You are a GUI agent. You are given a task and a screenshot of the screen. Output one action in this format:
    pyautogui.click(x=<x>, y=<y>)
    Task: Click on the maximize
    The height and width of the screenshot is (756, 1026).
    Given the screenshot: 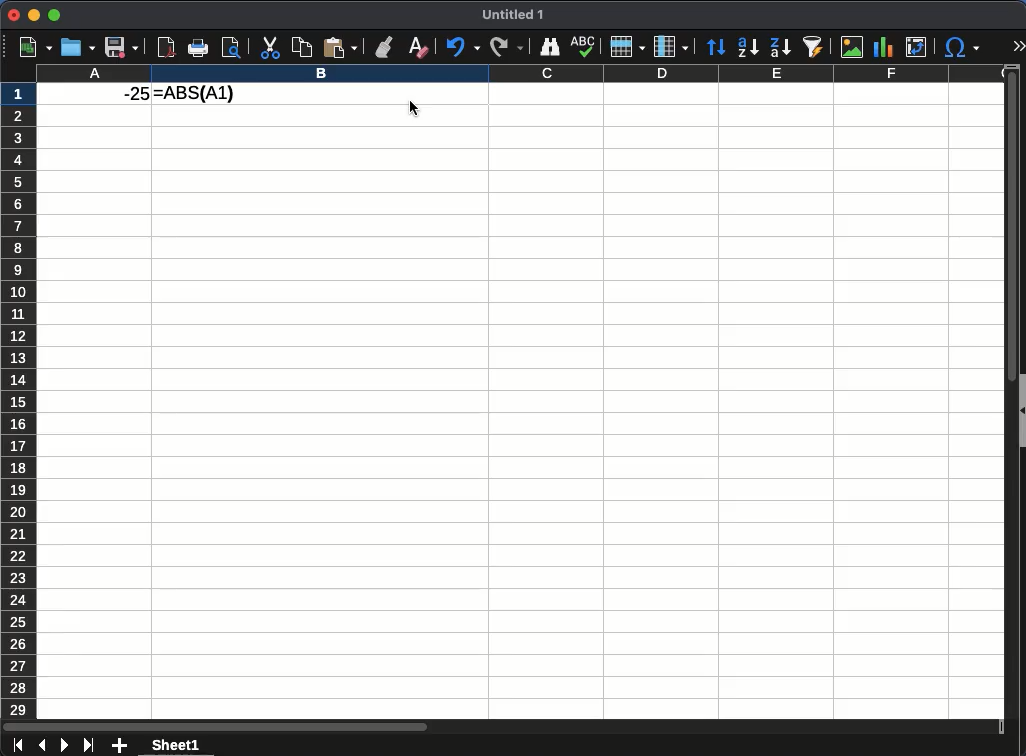 What is the action you would take?
    pyautogui.click(x=55, y=15)
    